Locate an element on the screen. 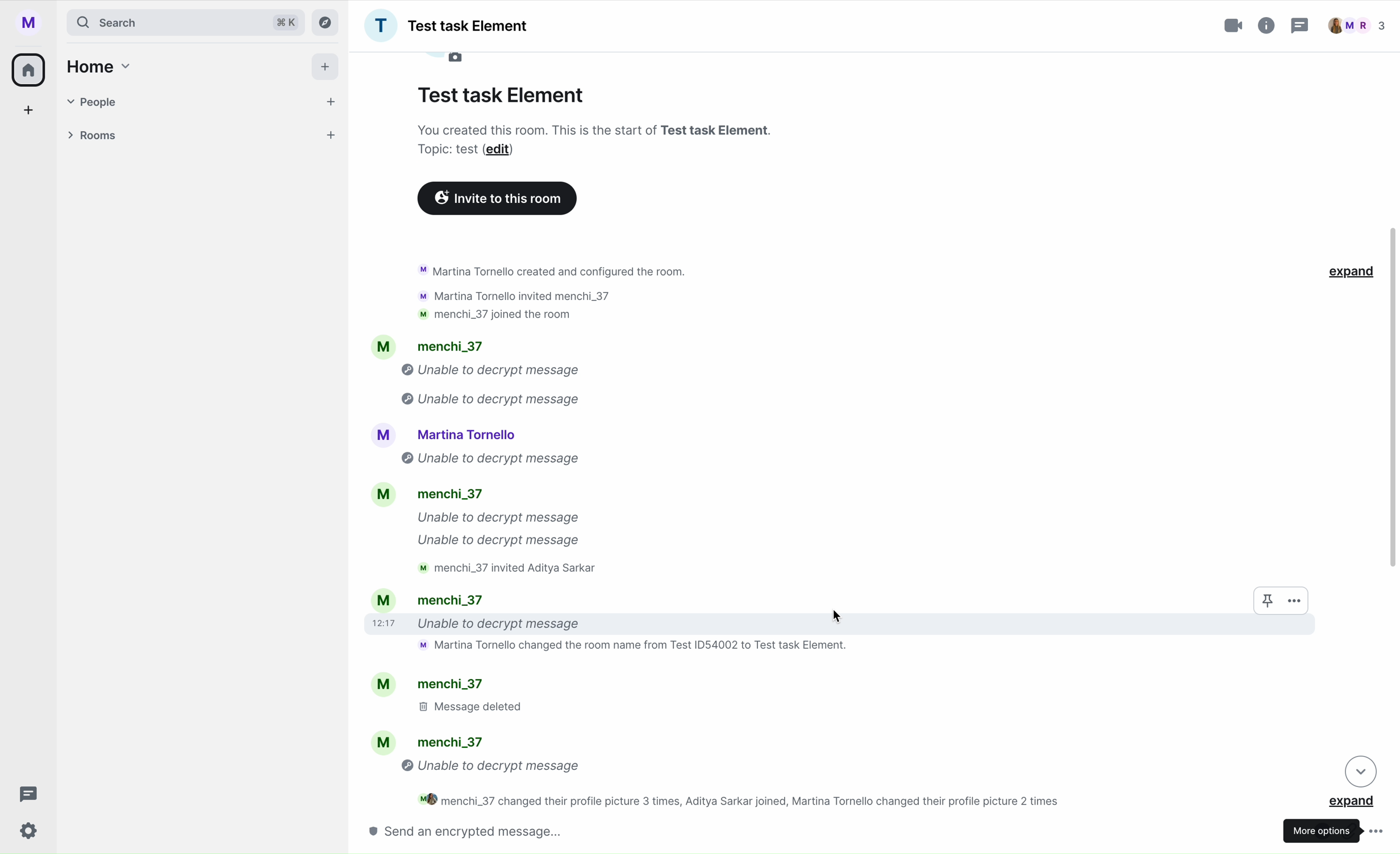 The image size is (1400, 854). pin is located at coordinates (1262, 600).